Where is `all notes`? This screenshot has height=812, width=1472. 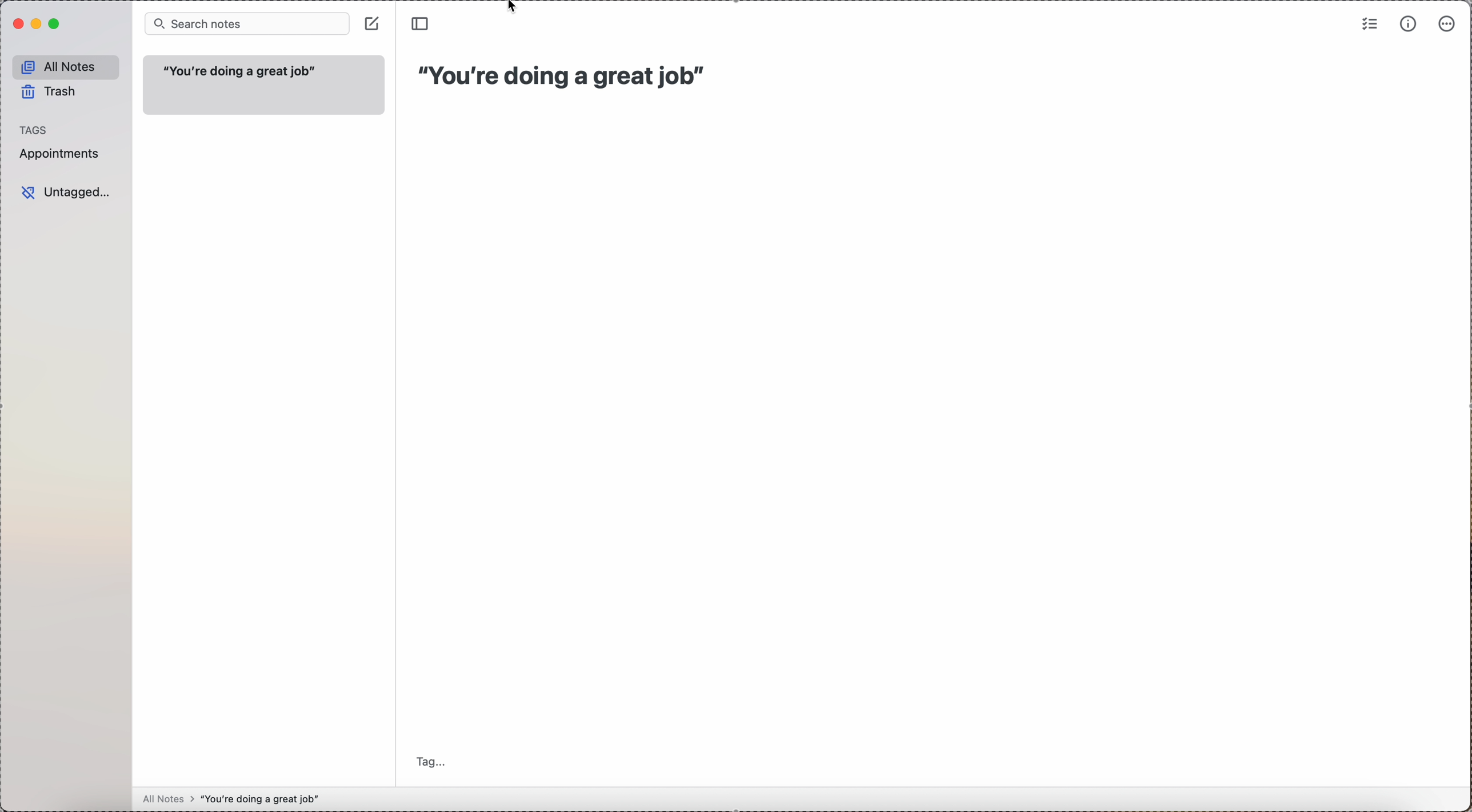 all notes is located at coordinates (66, 65).